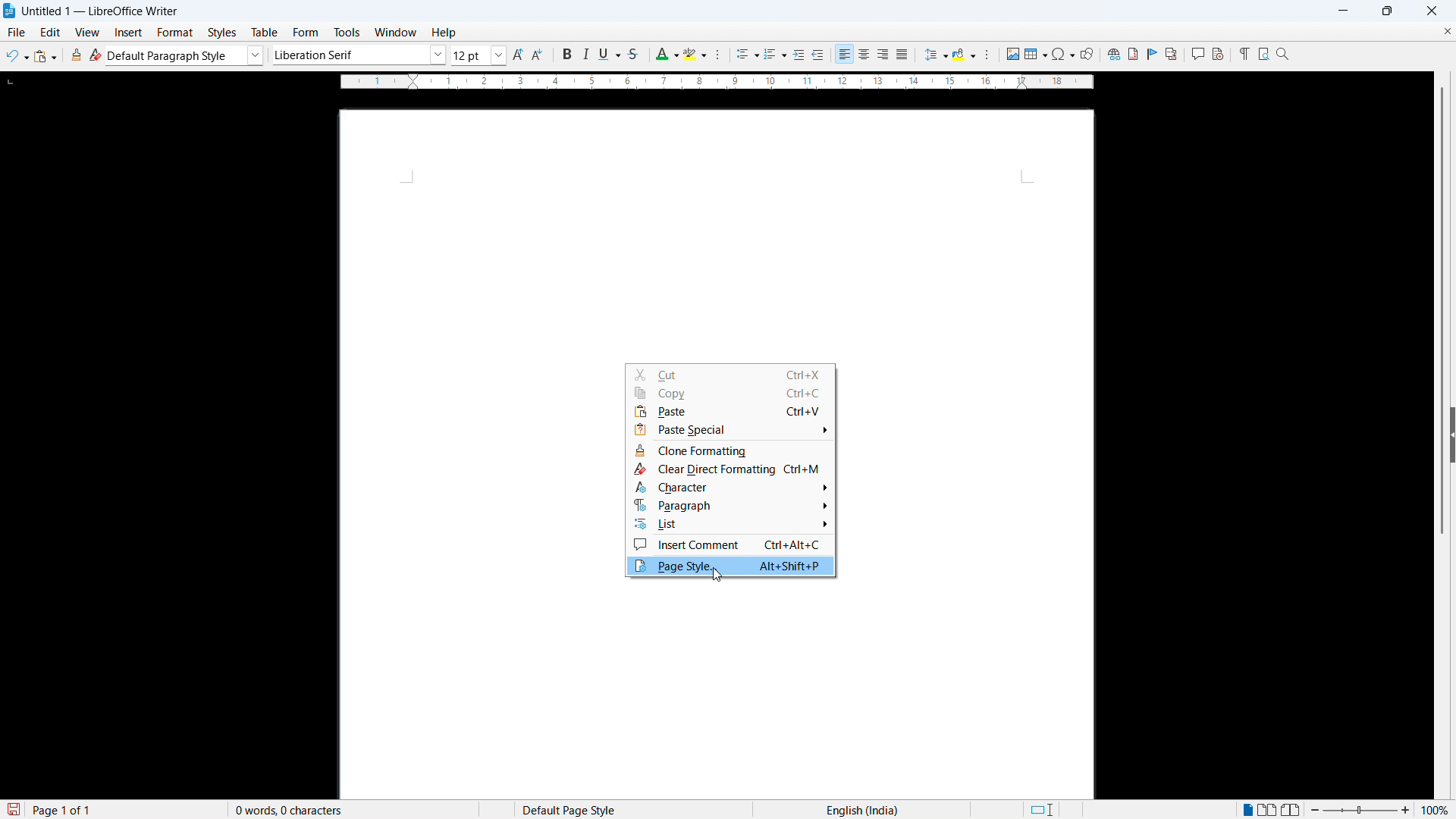 Image resolution: width=1456 pixels, height=819 pixels. I want to click on Table , so click(266, 33).